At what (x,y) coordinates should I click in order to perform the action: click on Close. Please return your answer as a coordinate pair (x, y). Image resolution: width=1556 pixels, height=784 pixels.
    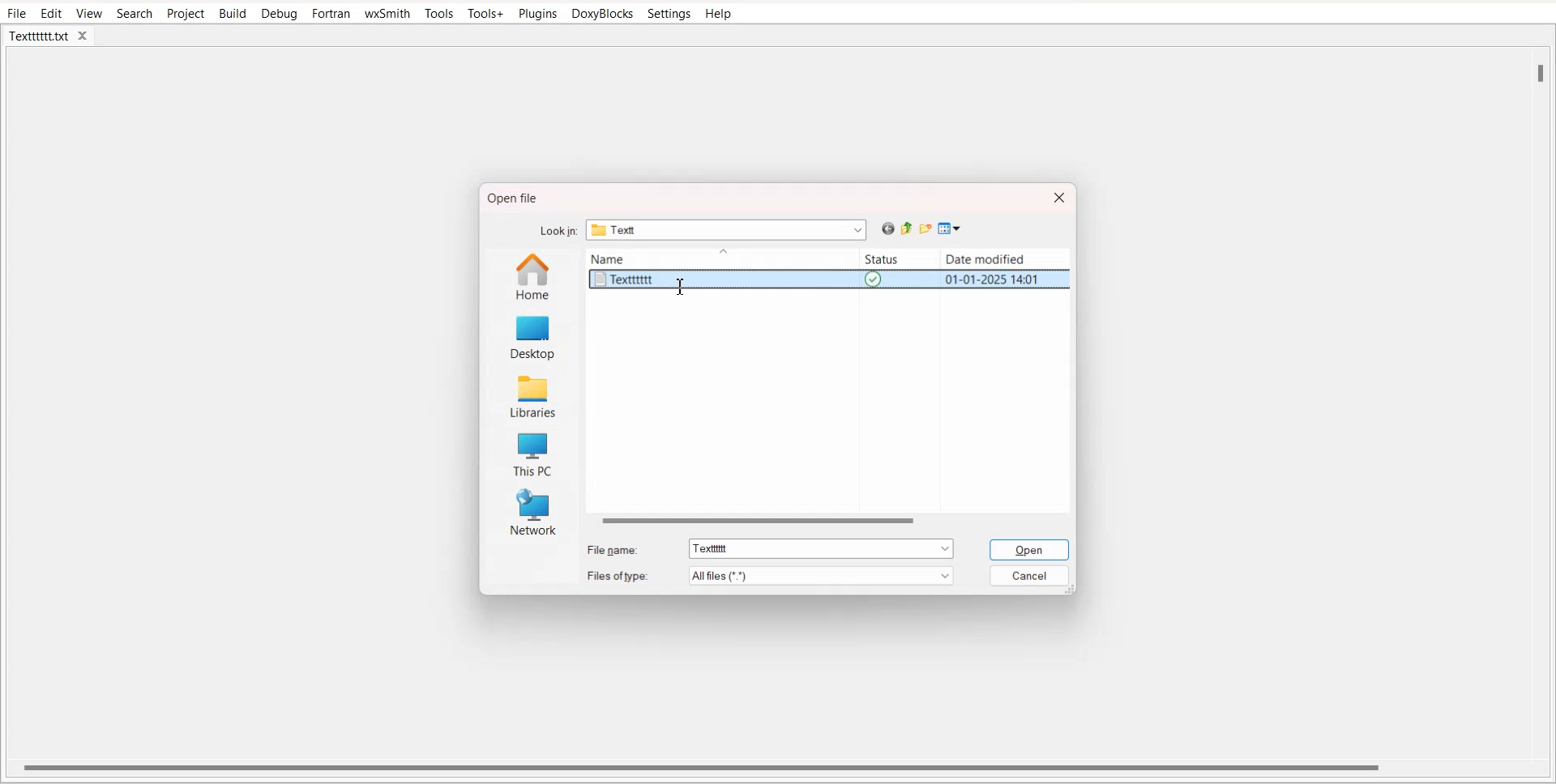
    Looking at the image, I should click on (1062, 198).